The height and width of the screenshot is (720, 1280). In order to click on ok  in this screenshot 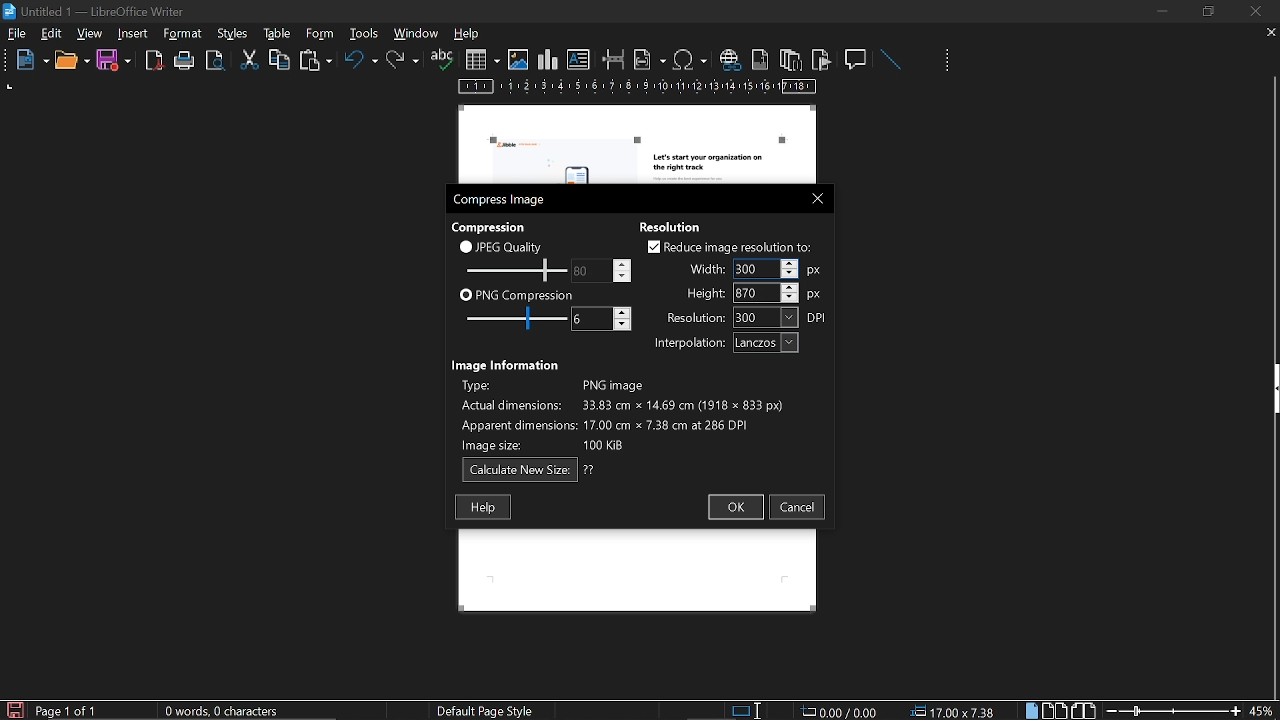, I will do `click(734, 508)`.